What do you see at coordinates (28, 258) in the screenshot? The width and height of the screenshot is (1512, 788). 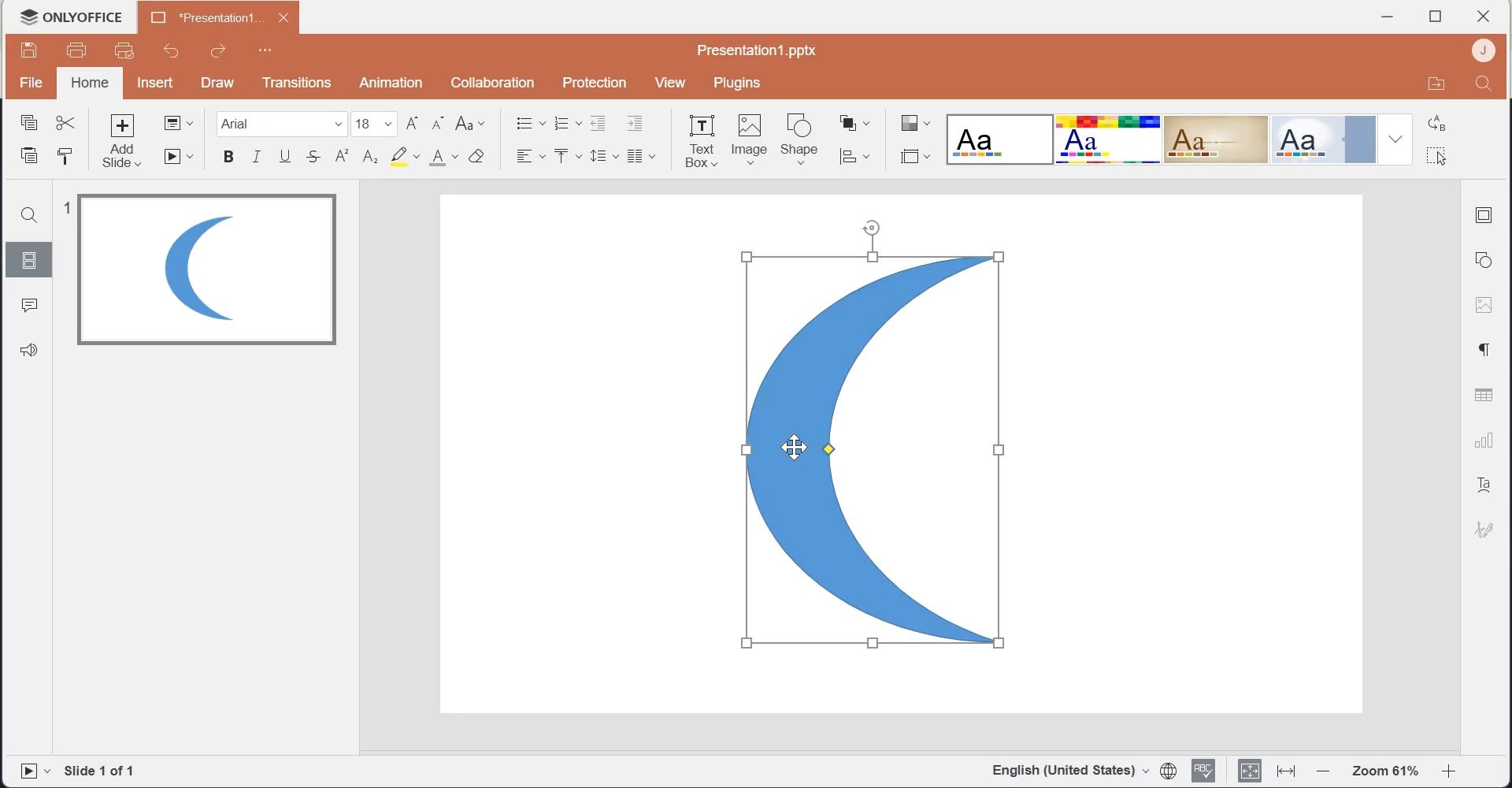 I see `Slides` at bounding box center [28, 258].